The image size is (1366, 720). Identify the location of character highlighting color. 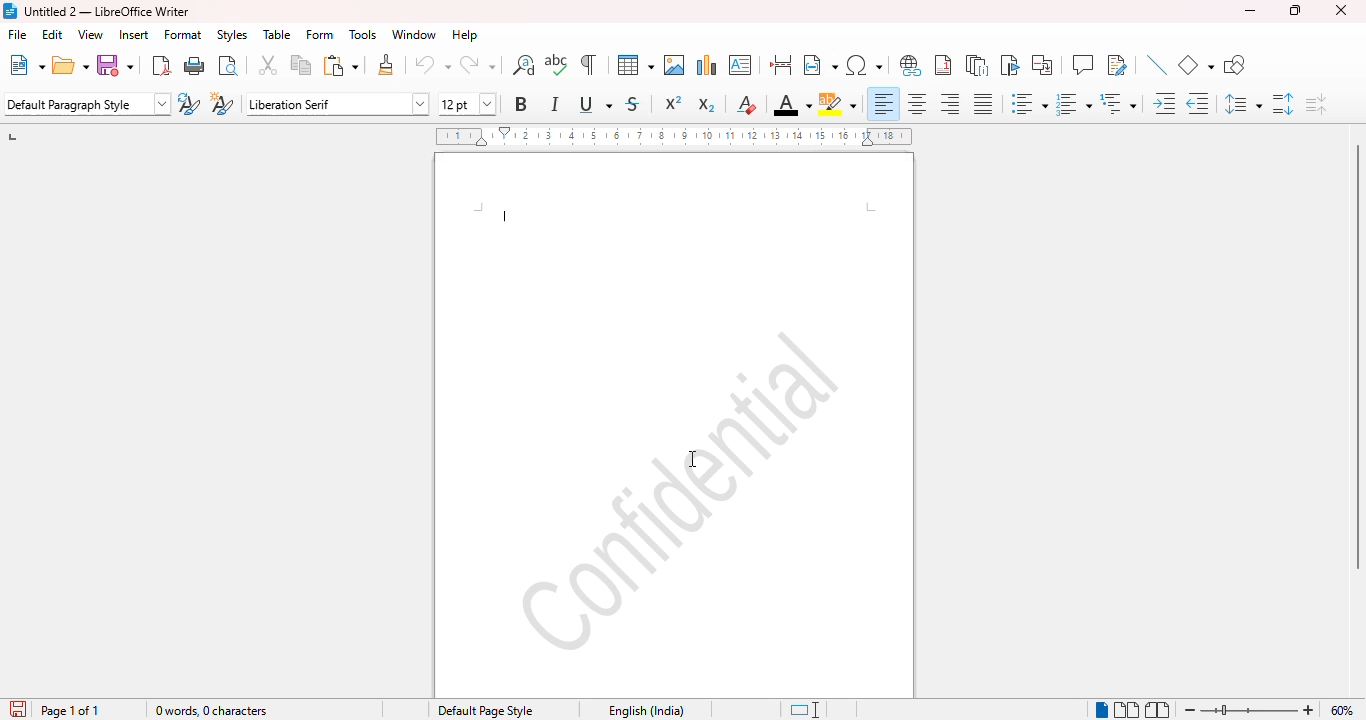
(838, 104).